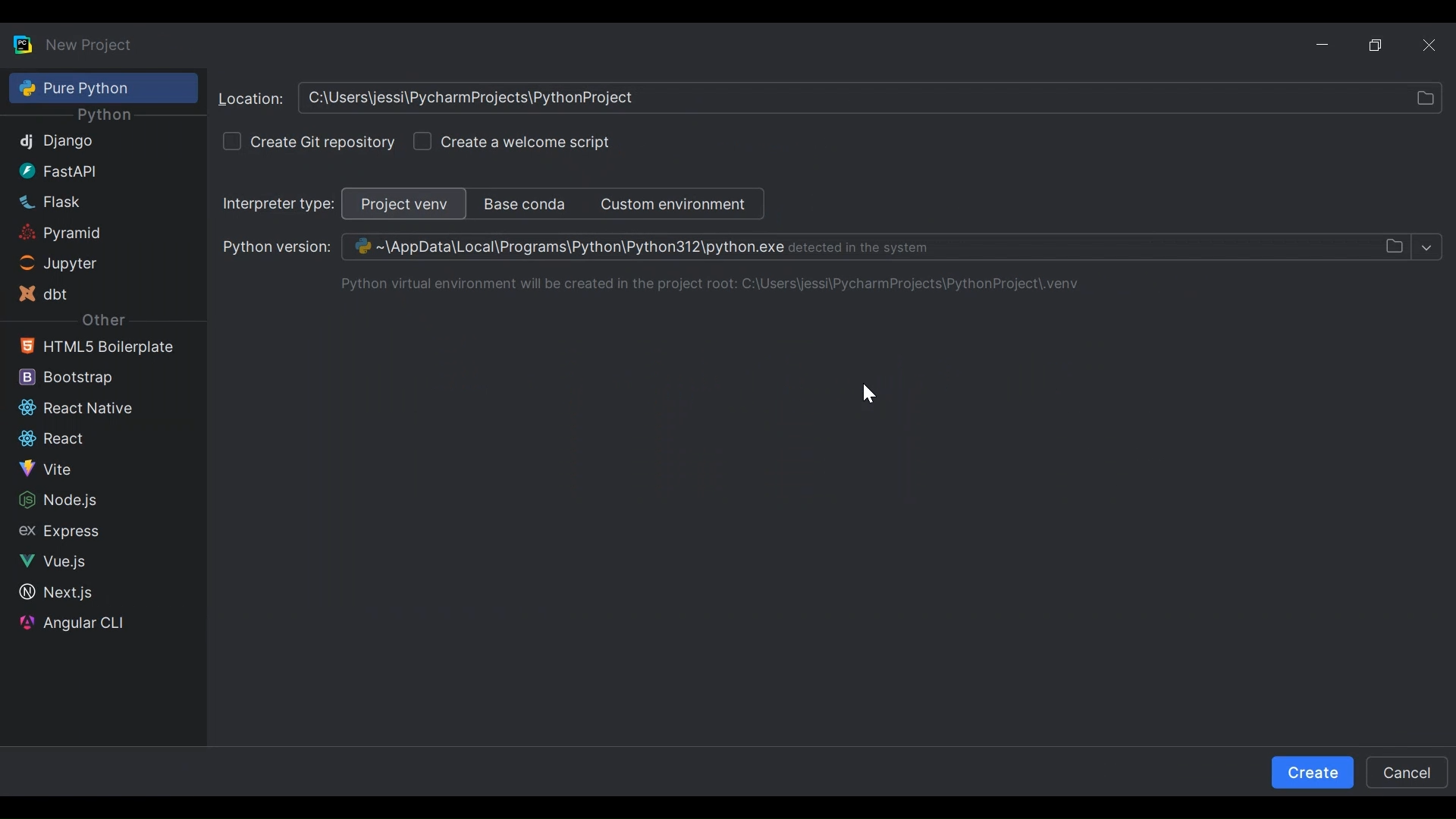 The width and height of the screenshot is (1456, 819). What do you see at coordinates (1429, 44) in the screenshot?
I see `Close` at bounding box center [1429, 44].